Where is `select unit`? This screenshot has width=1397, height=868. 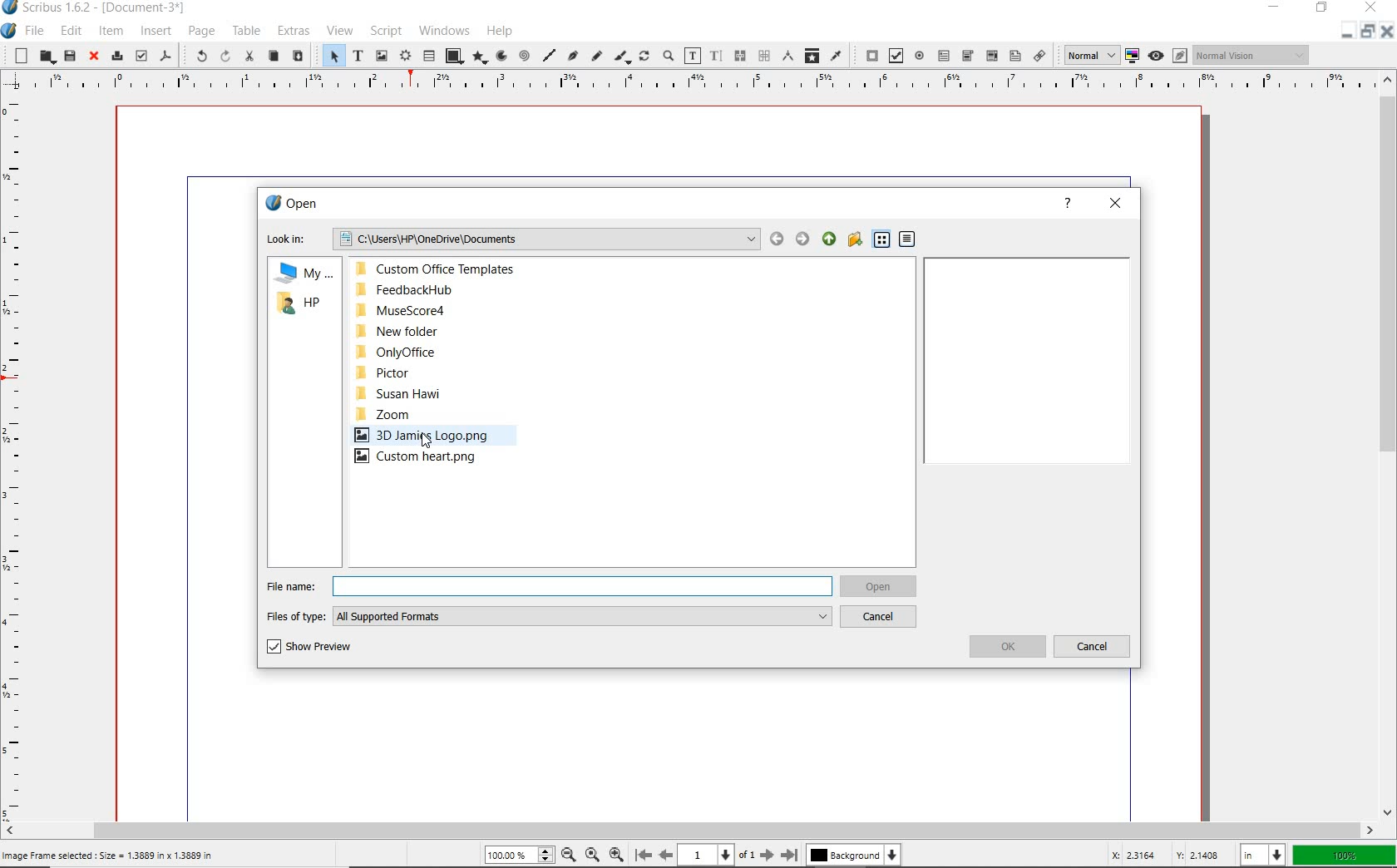 select unit is located at coordinates (1261, 855).